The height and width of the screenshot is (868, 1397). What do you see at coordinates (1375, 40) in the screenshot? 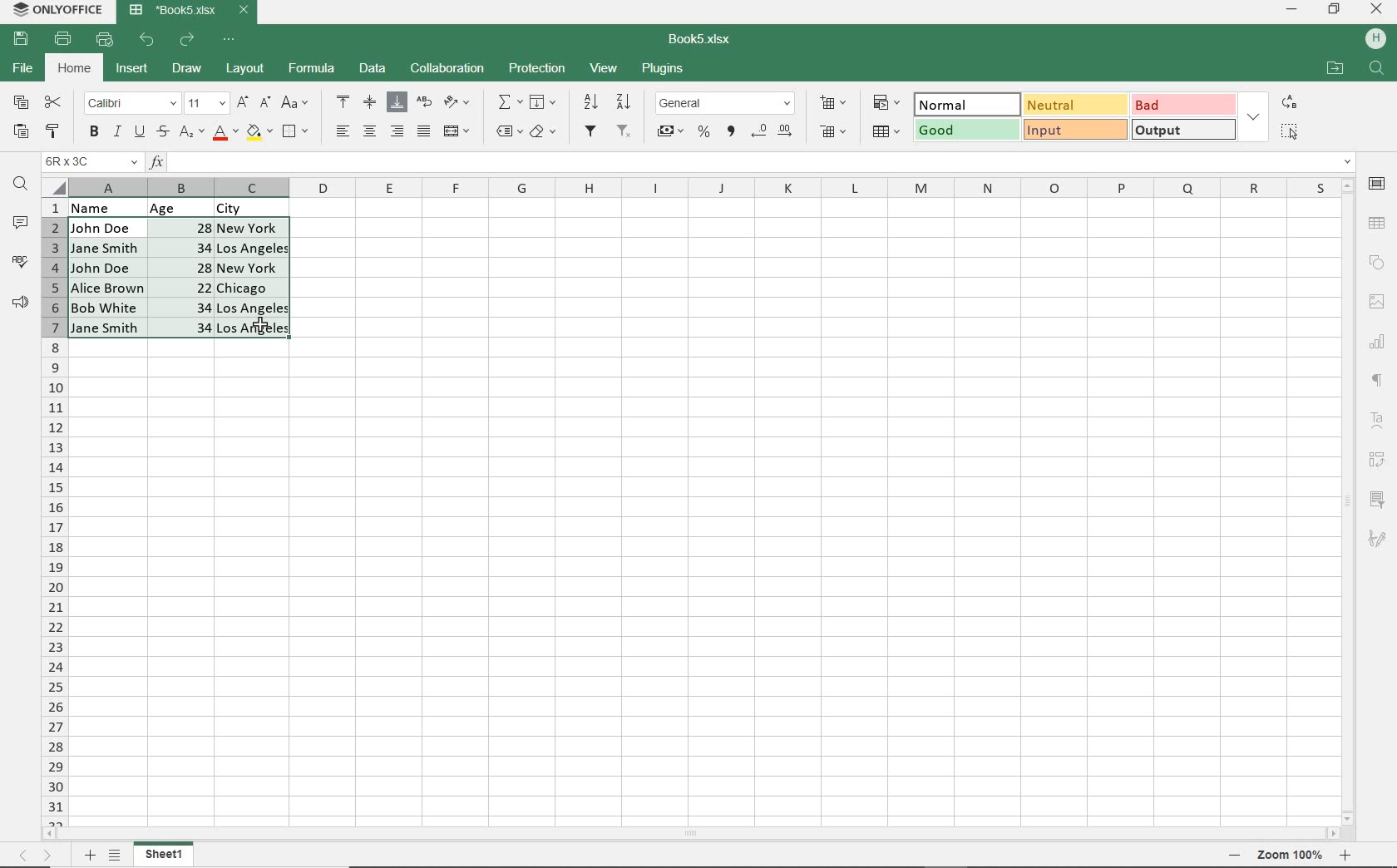
I see `HP` at bounding box center [1375, 40].